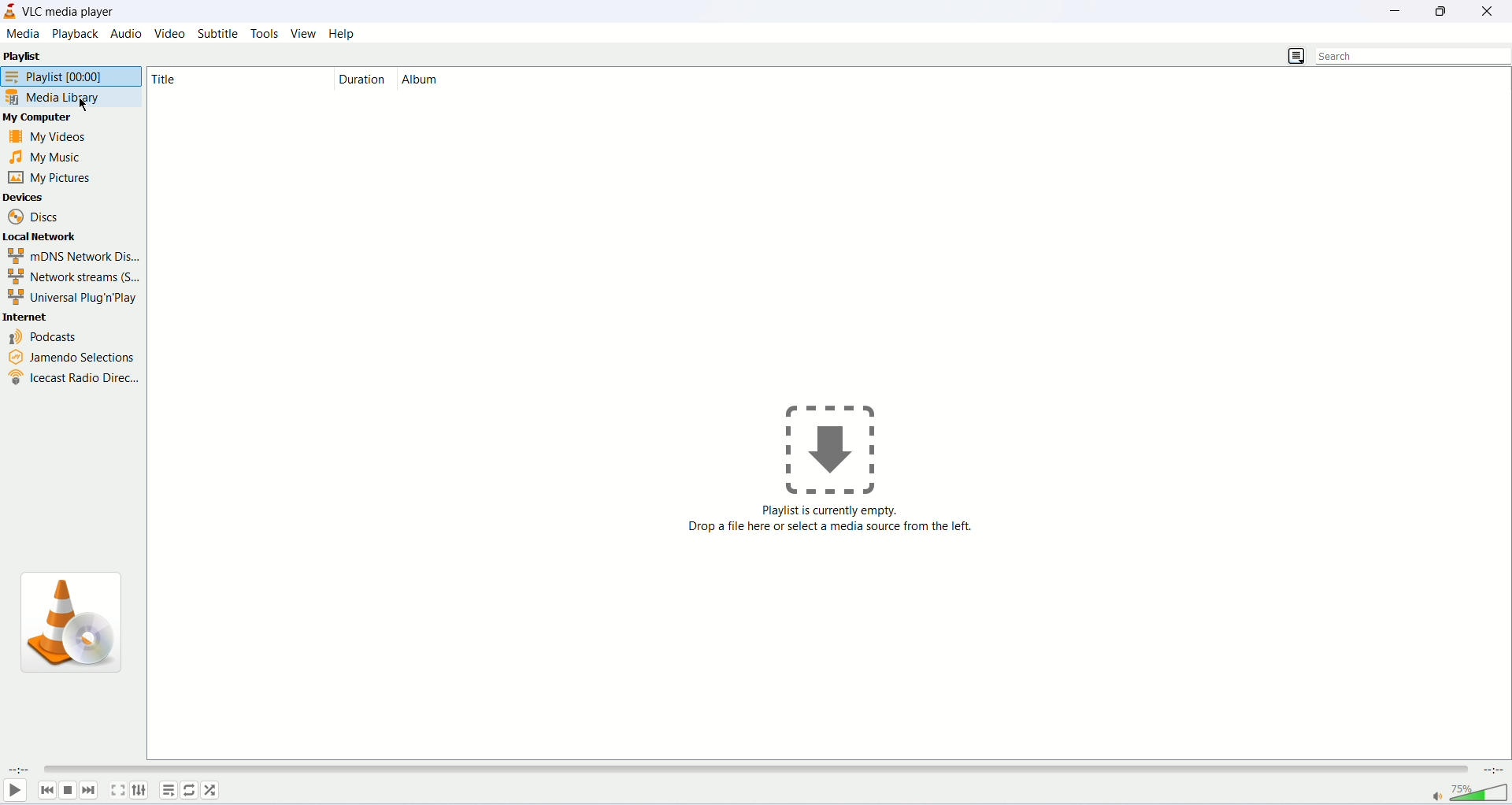 This screenshot has height=805, width=1512. I want to click on my videos, so click(50, 139).